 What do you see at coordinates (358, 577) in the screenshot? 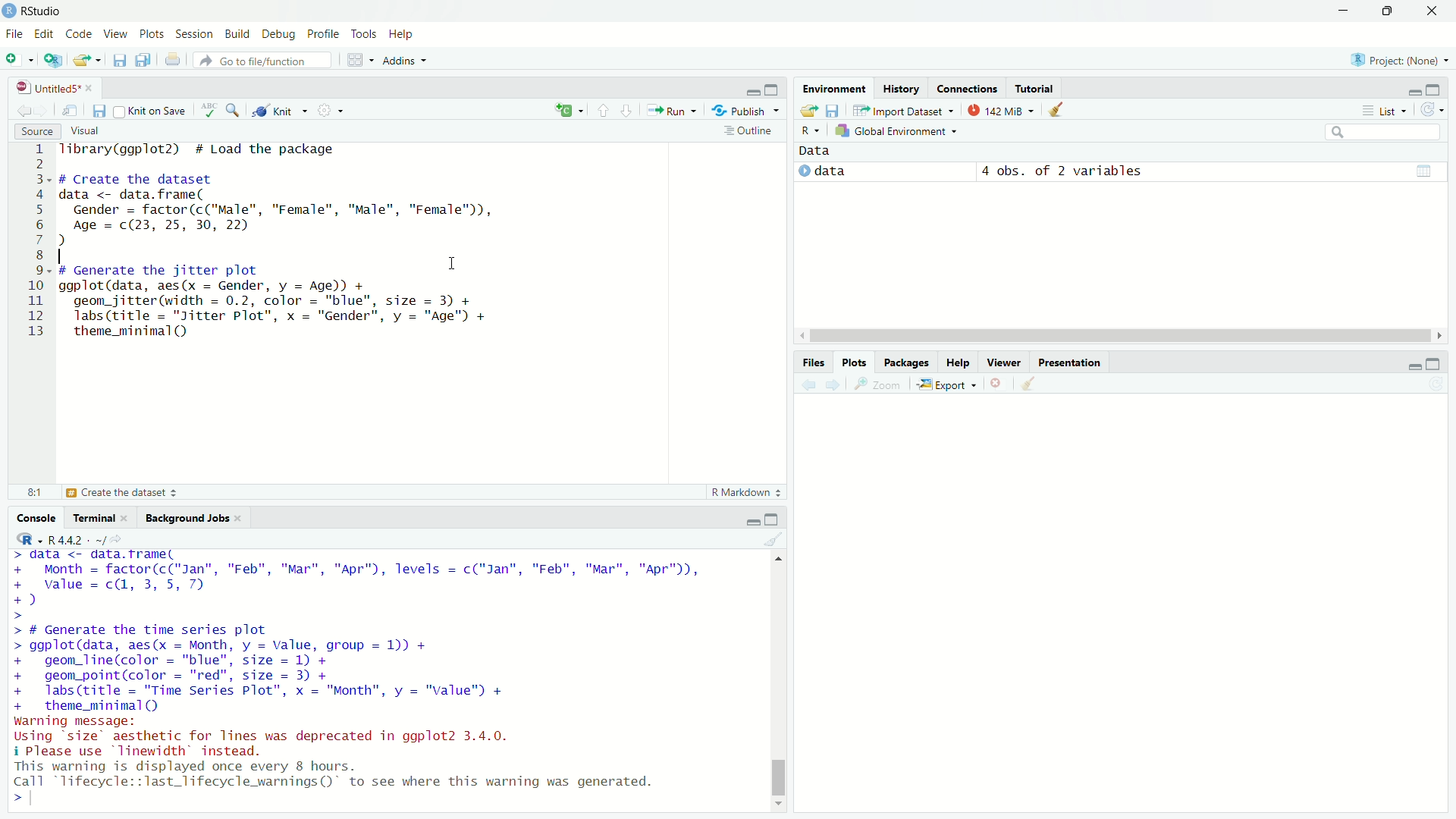
I see `month data` at bounding box center [358, 577].